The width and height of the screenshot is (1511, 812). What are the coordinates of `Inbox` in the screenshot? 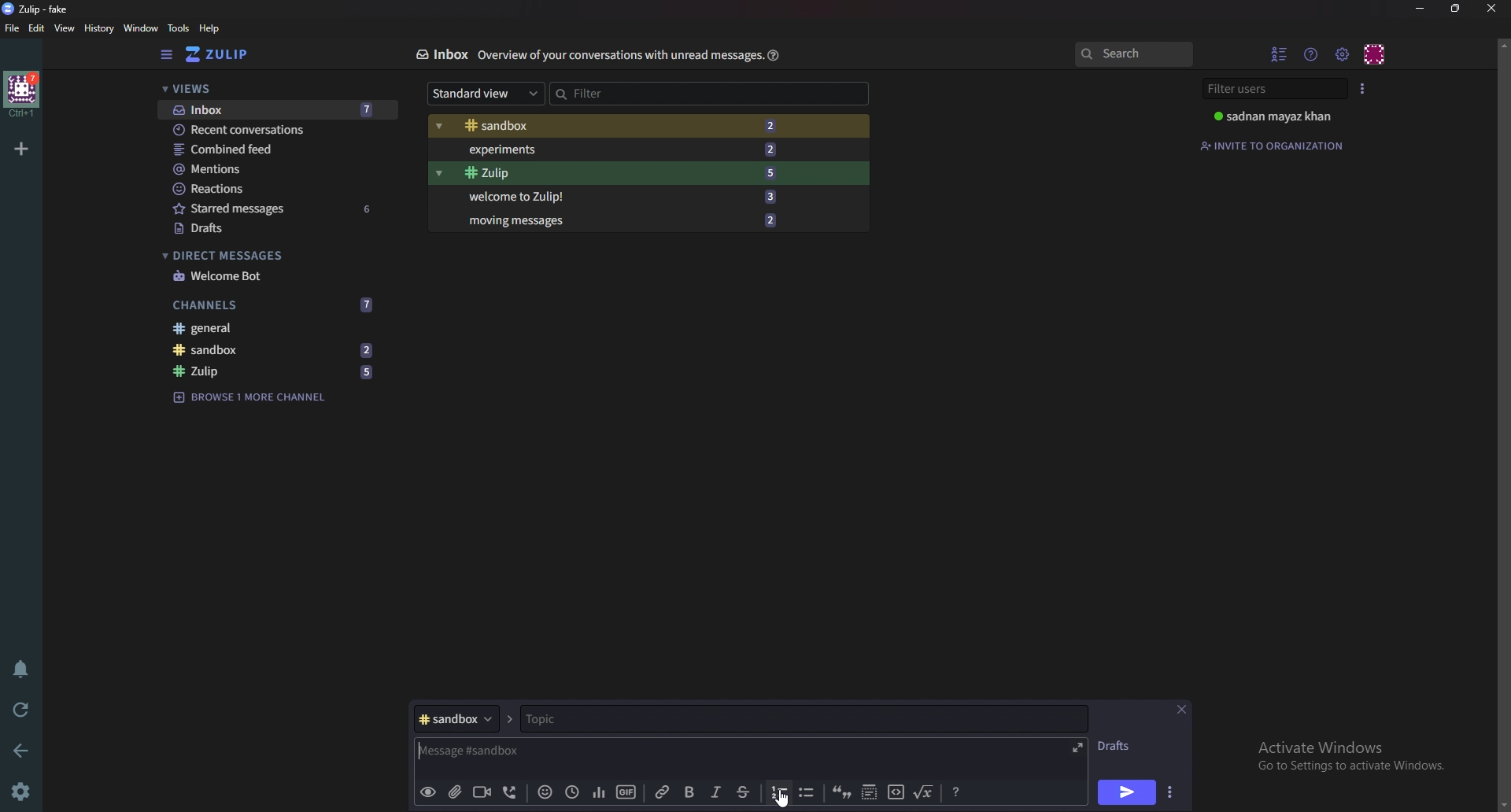 It's located at (272, 109).